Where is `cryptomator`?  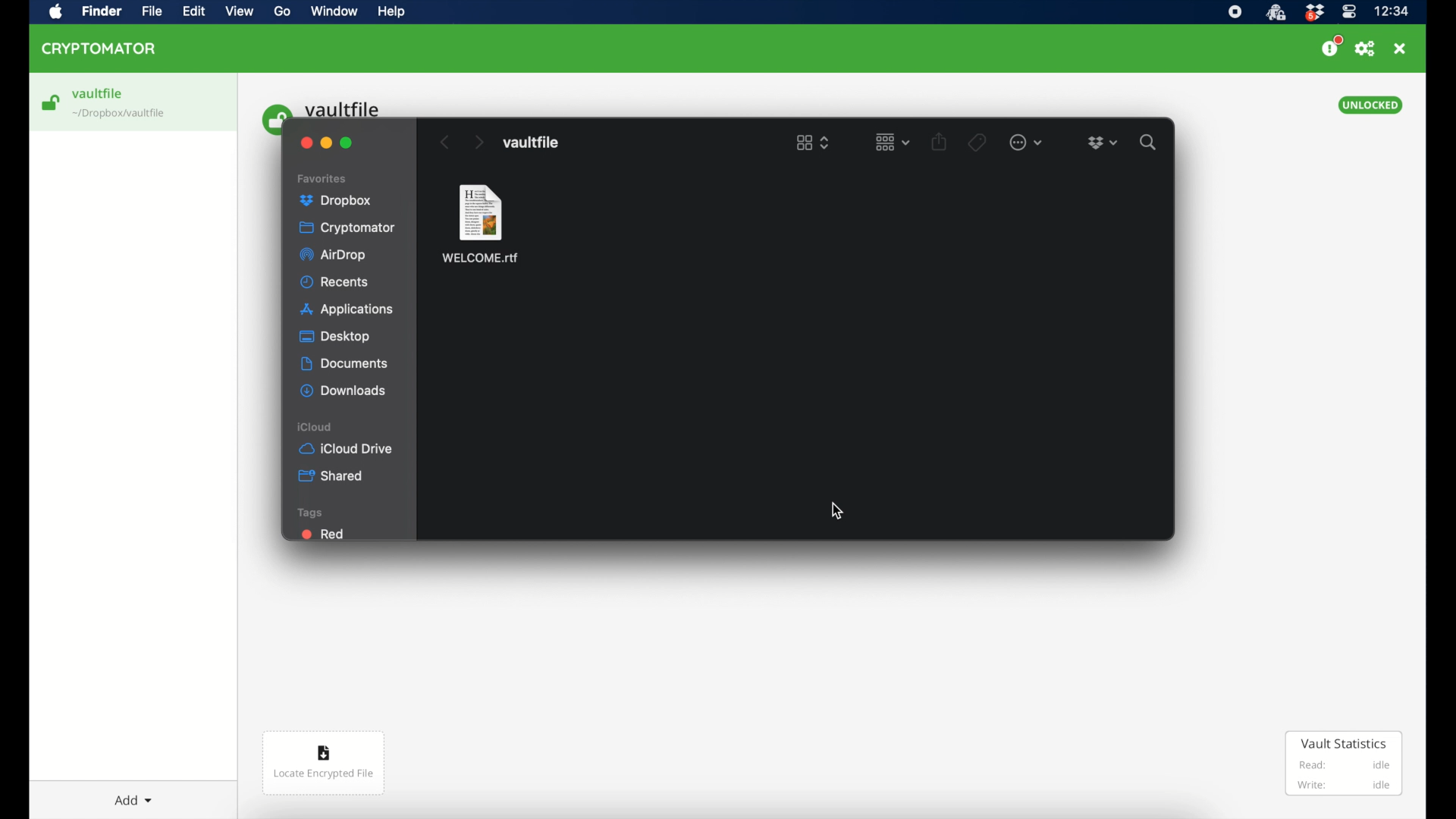
cryptomator is located at coordinates (122, 12).